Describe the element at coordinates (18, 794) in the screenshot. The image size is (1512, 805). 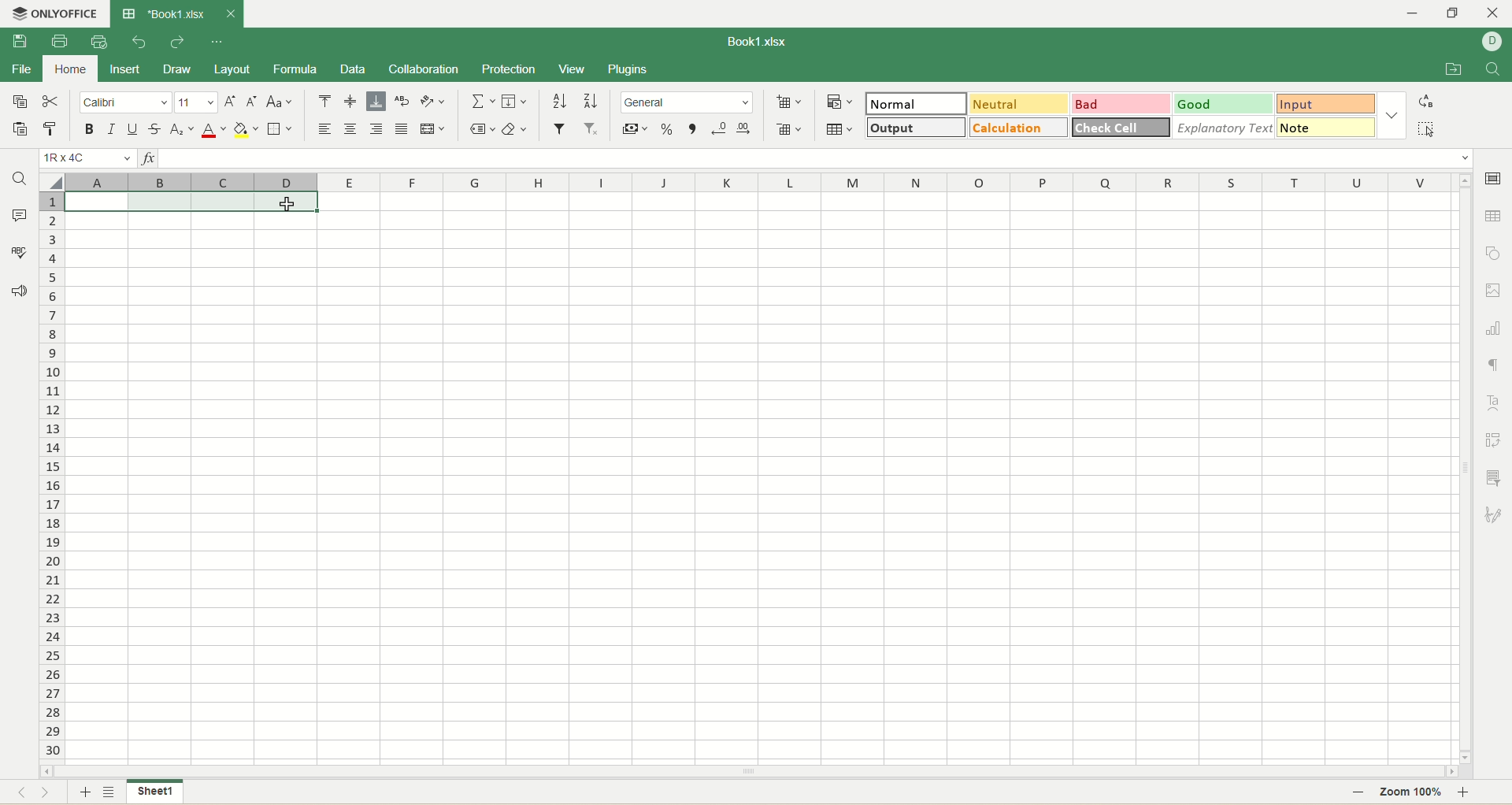
I see `previous` at that location.